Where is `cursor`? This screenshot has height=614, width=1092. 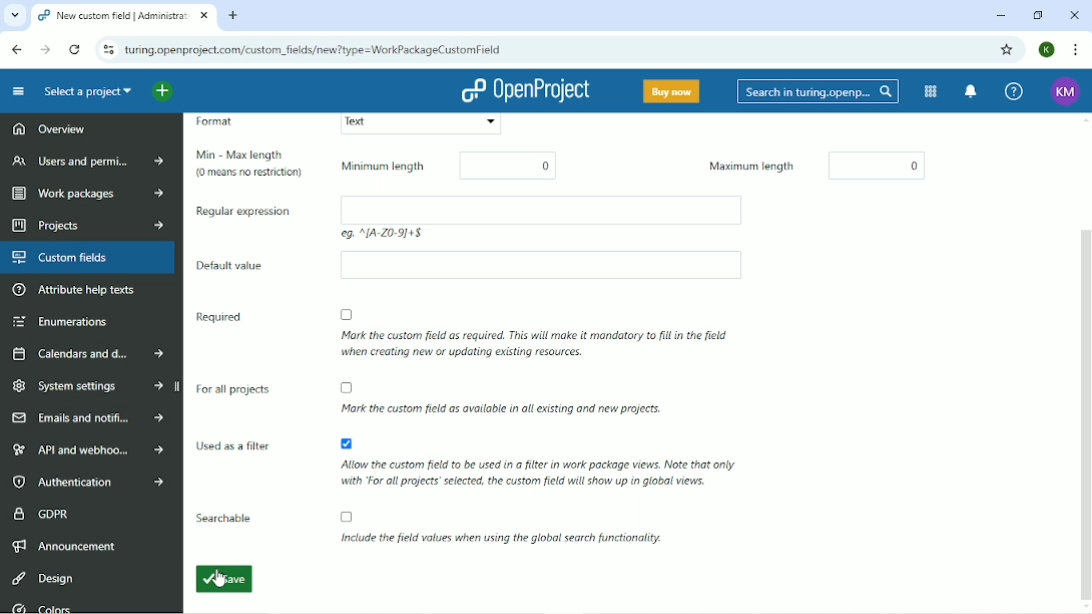
cursor is located at coordinates (218, 585).